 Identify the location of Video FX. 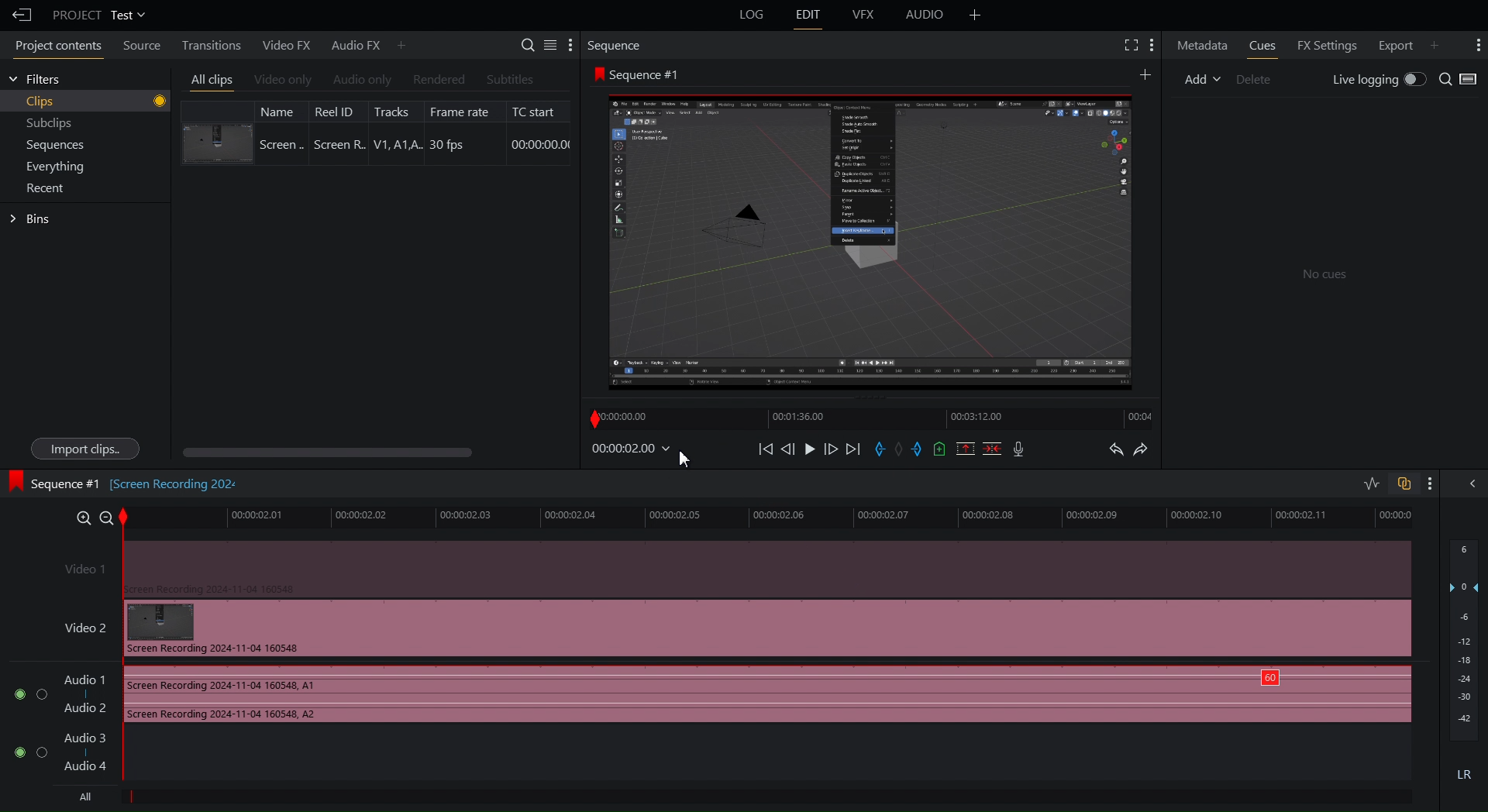
(284, 45).